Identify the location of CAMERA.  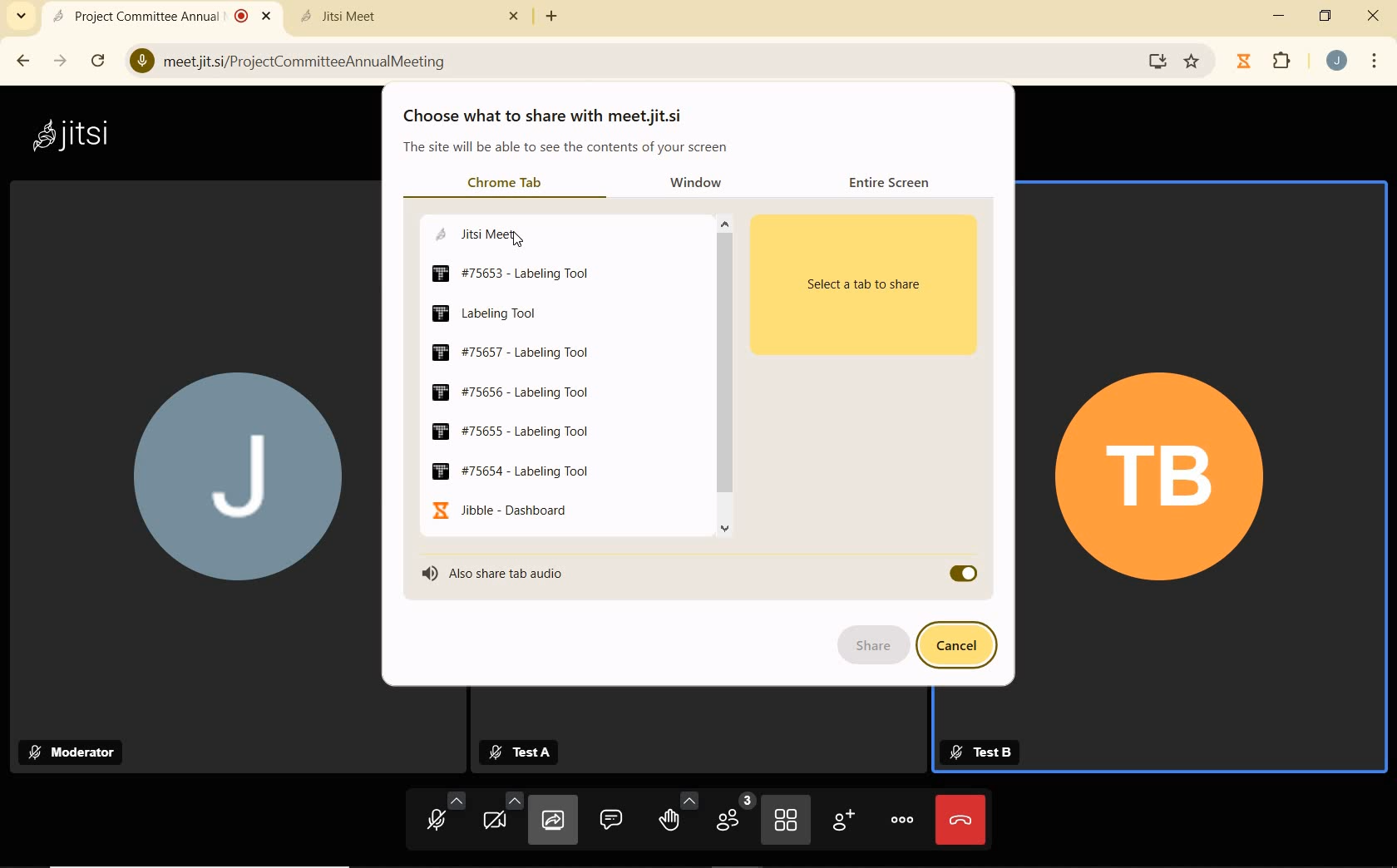
(501, 820).